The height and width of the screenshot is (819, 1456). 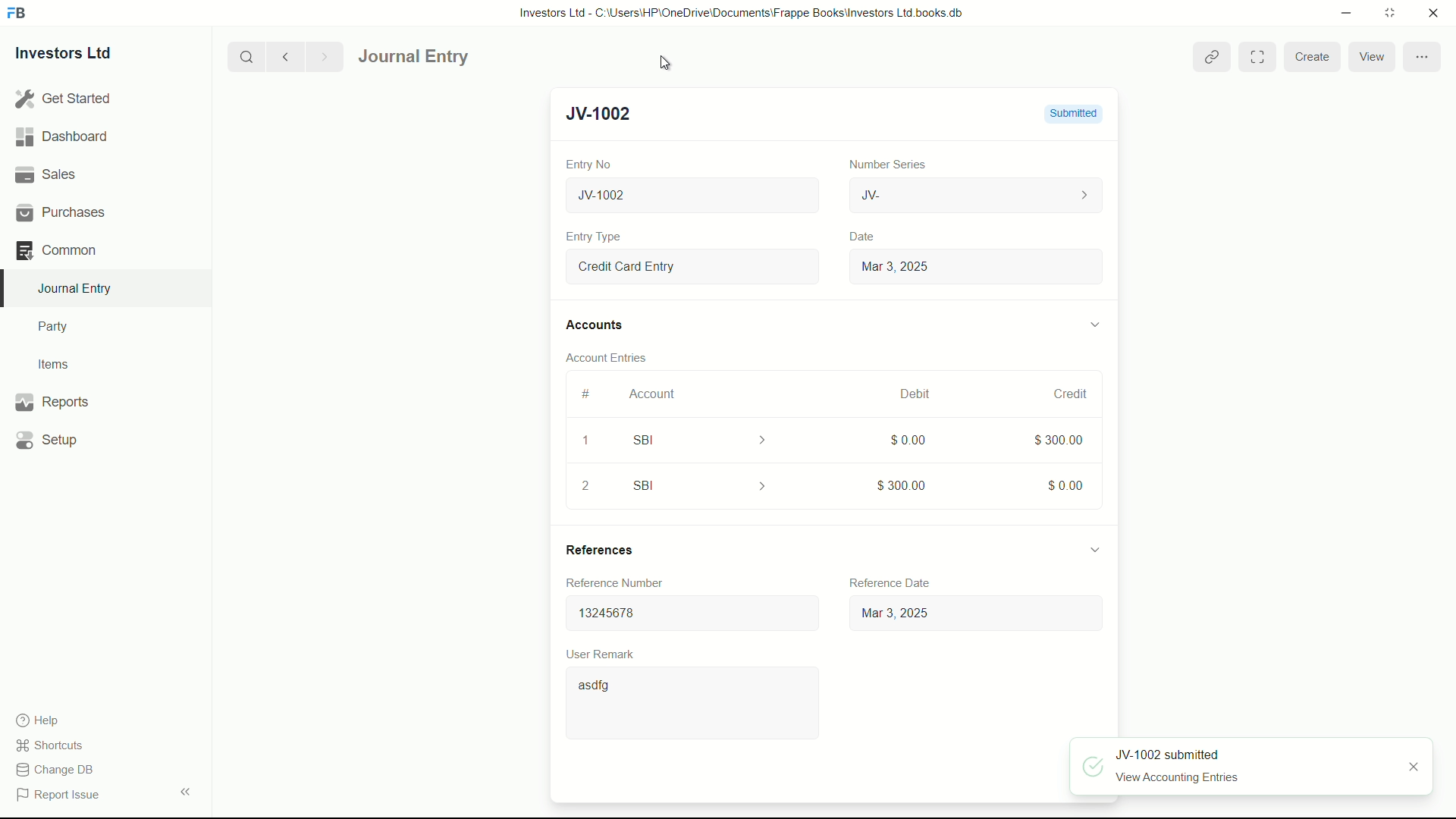 What do you see at coordinates (974, 266) in the screenshot?
I see `Mar 3, 2025` at bounding box center [974, 266].